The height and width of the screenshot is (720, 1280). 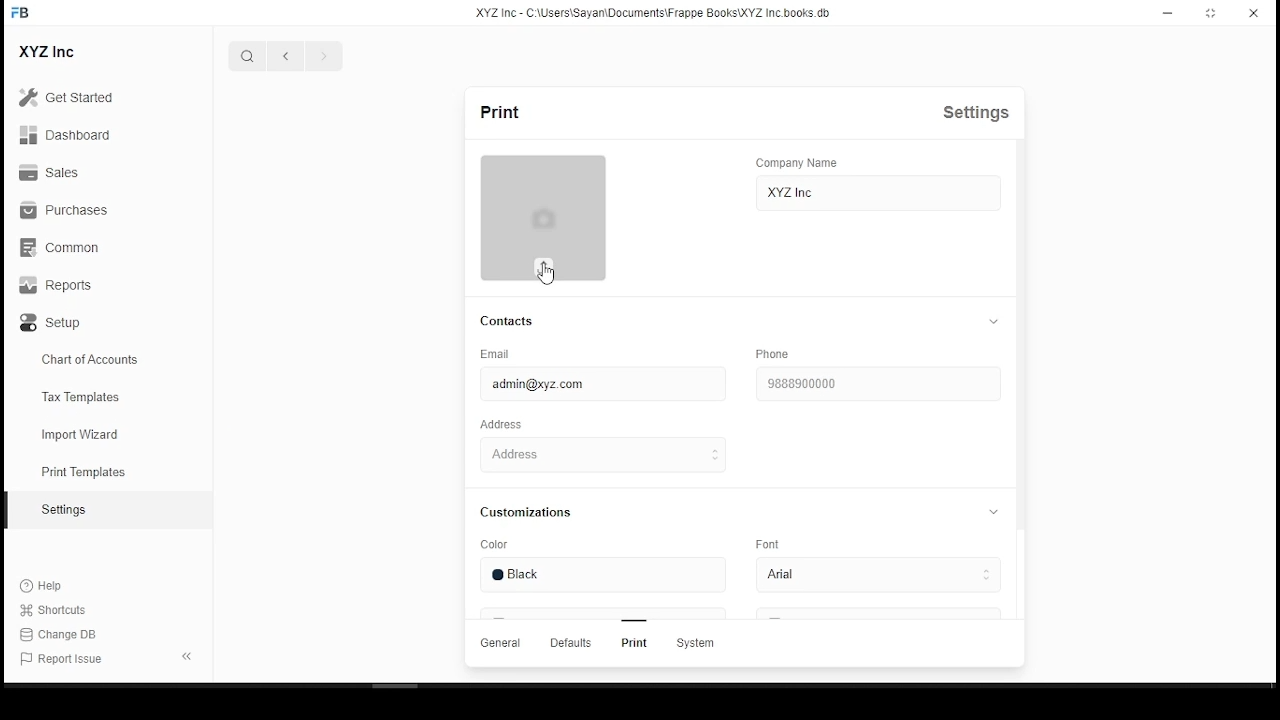 What do you see at coordinates (63, 208) in the screenshot?
I see `Purchases` at bounding box center [63, 208].